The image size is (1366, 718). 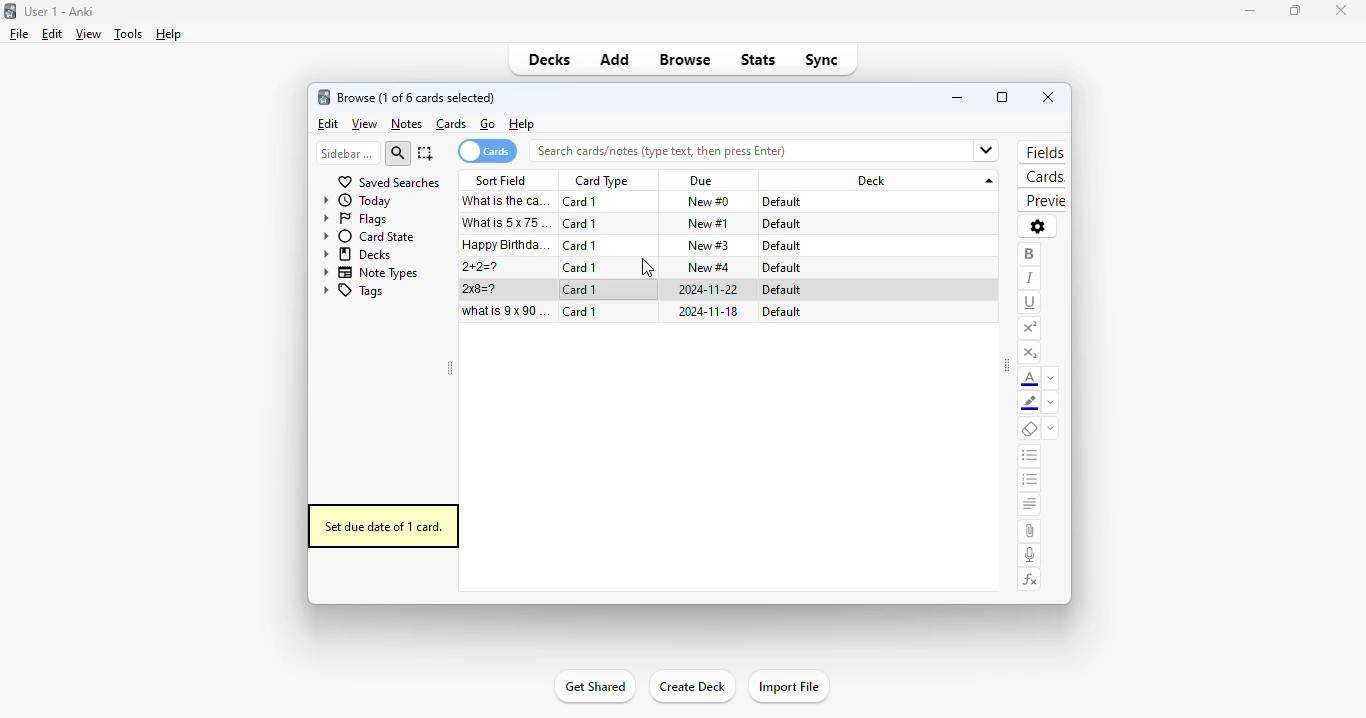 What do you see at coordinates (601, 181) in the screenshot?
I see `card type` at bounding box center [601, 181].